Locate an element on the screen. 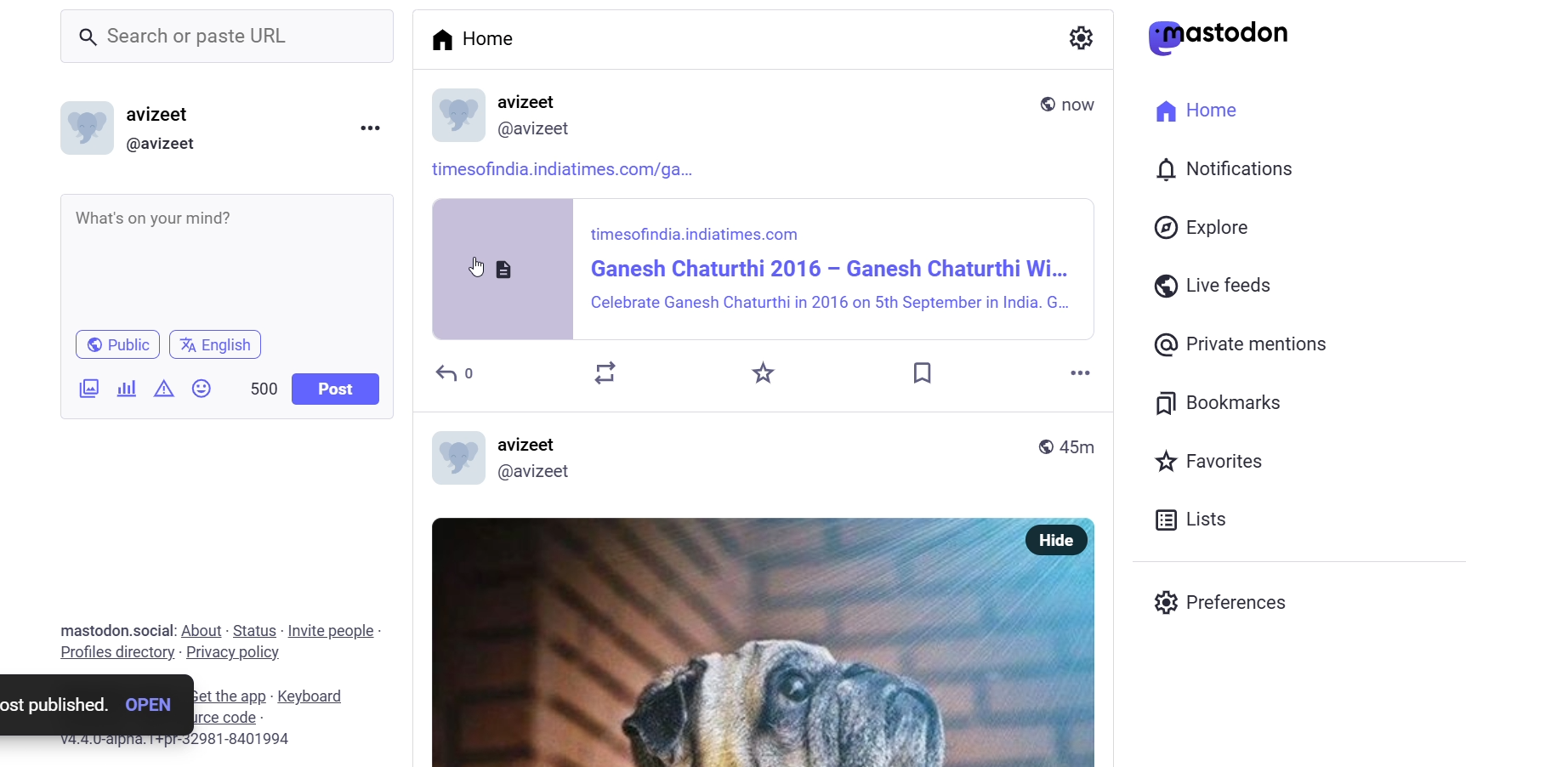 This screenshot has width=1568, height=767. 500 is located at coordinates (261, 389).